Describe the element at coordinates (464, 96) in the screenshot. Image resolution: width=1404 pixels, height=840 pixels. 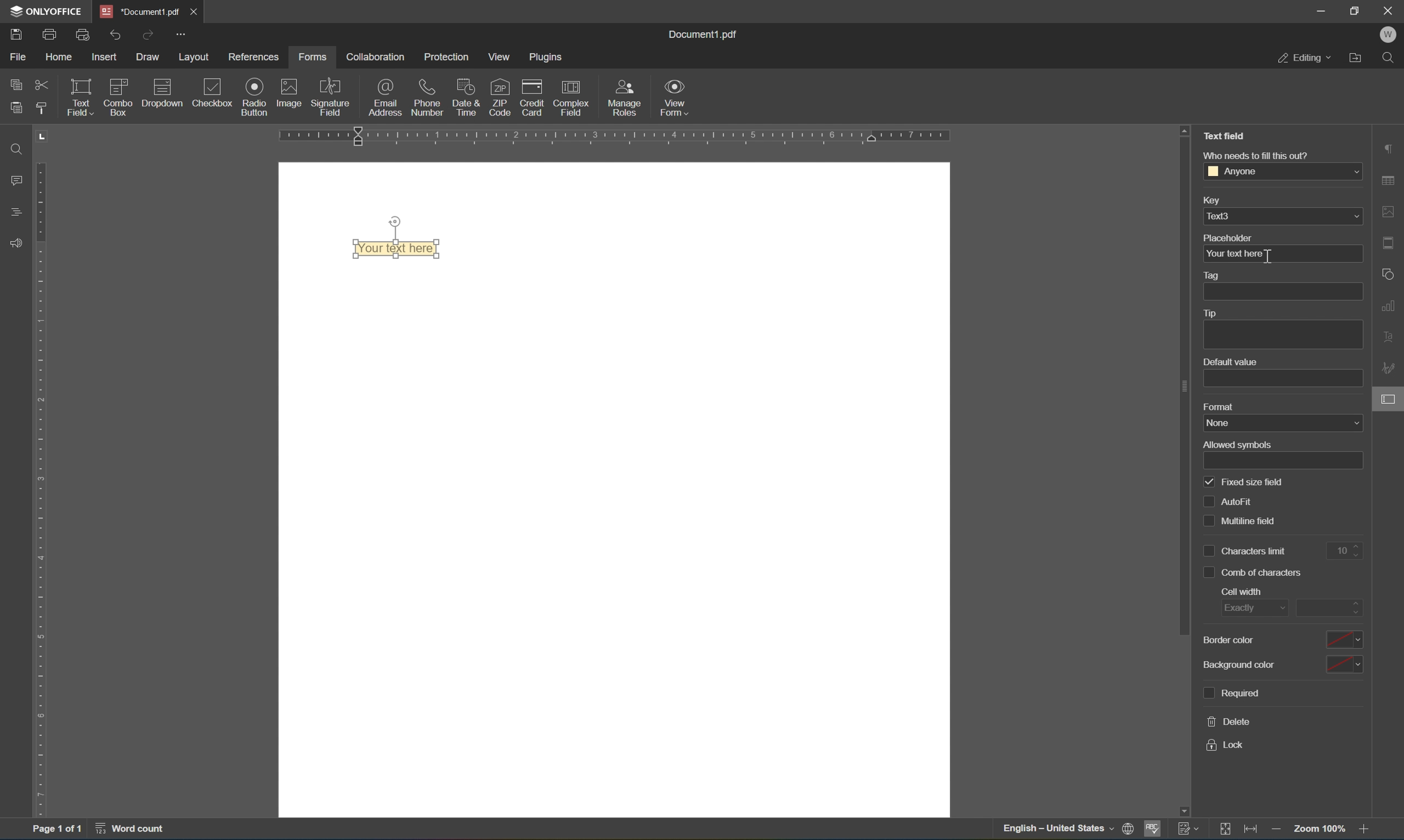
I see `date & time` at that location.